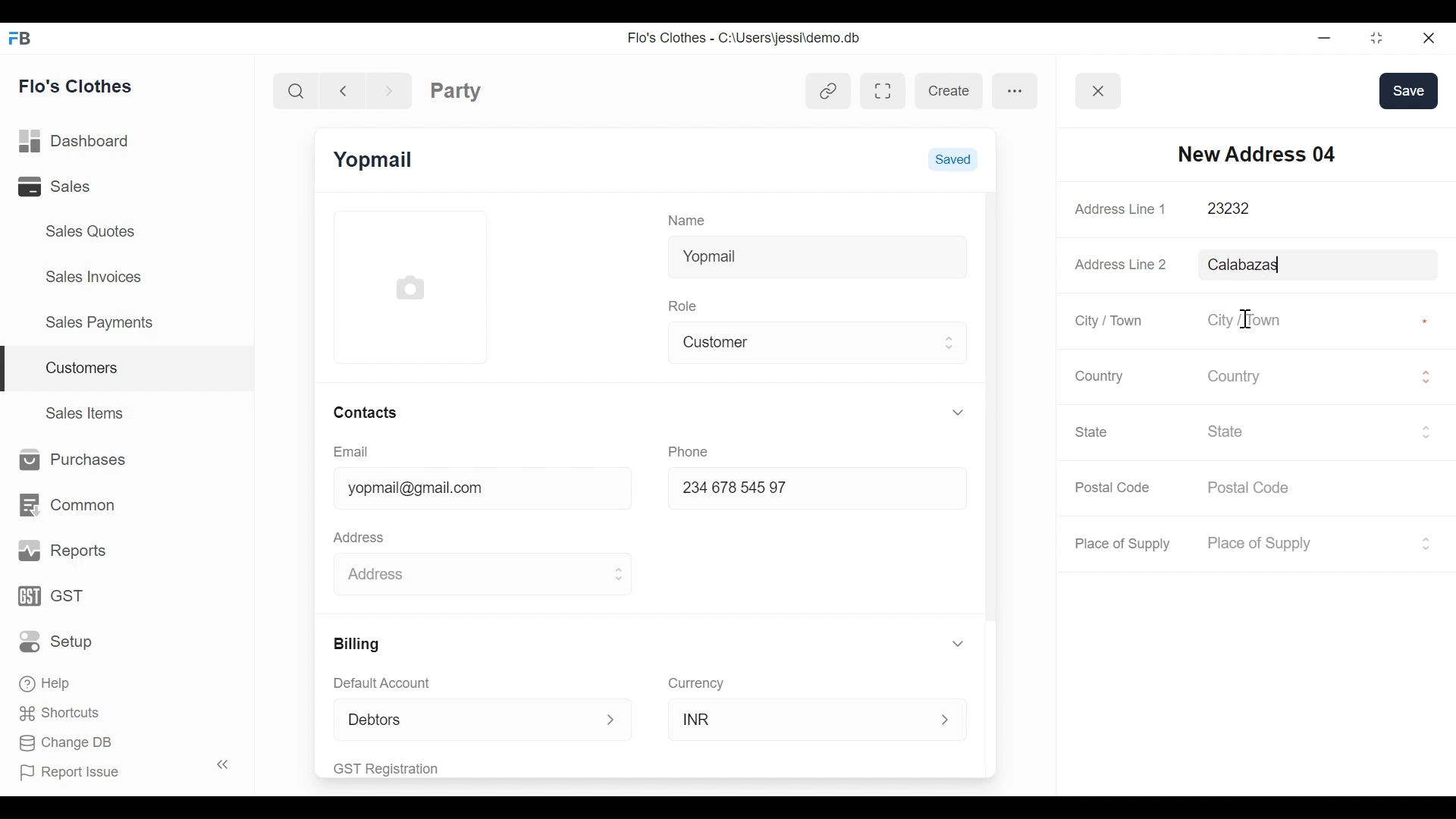  What do you see at coordinates (86, 411) in the screenshot?
I see `Sales Items` at bounding box center [86, 411].